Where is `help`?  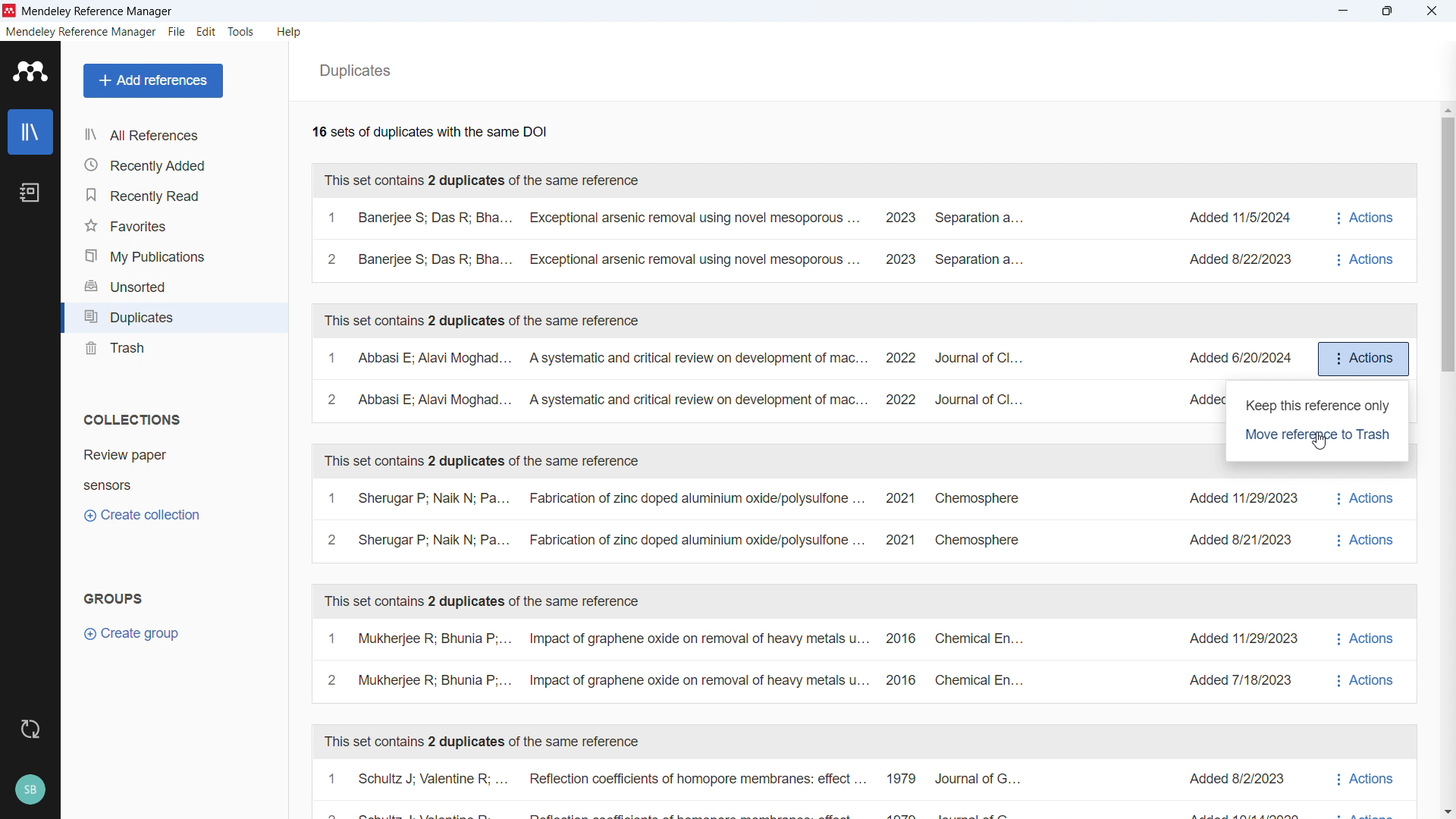
help is located at coordinates (290, 32).